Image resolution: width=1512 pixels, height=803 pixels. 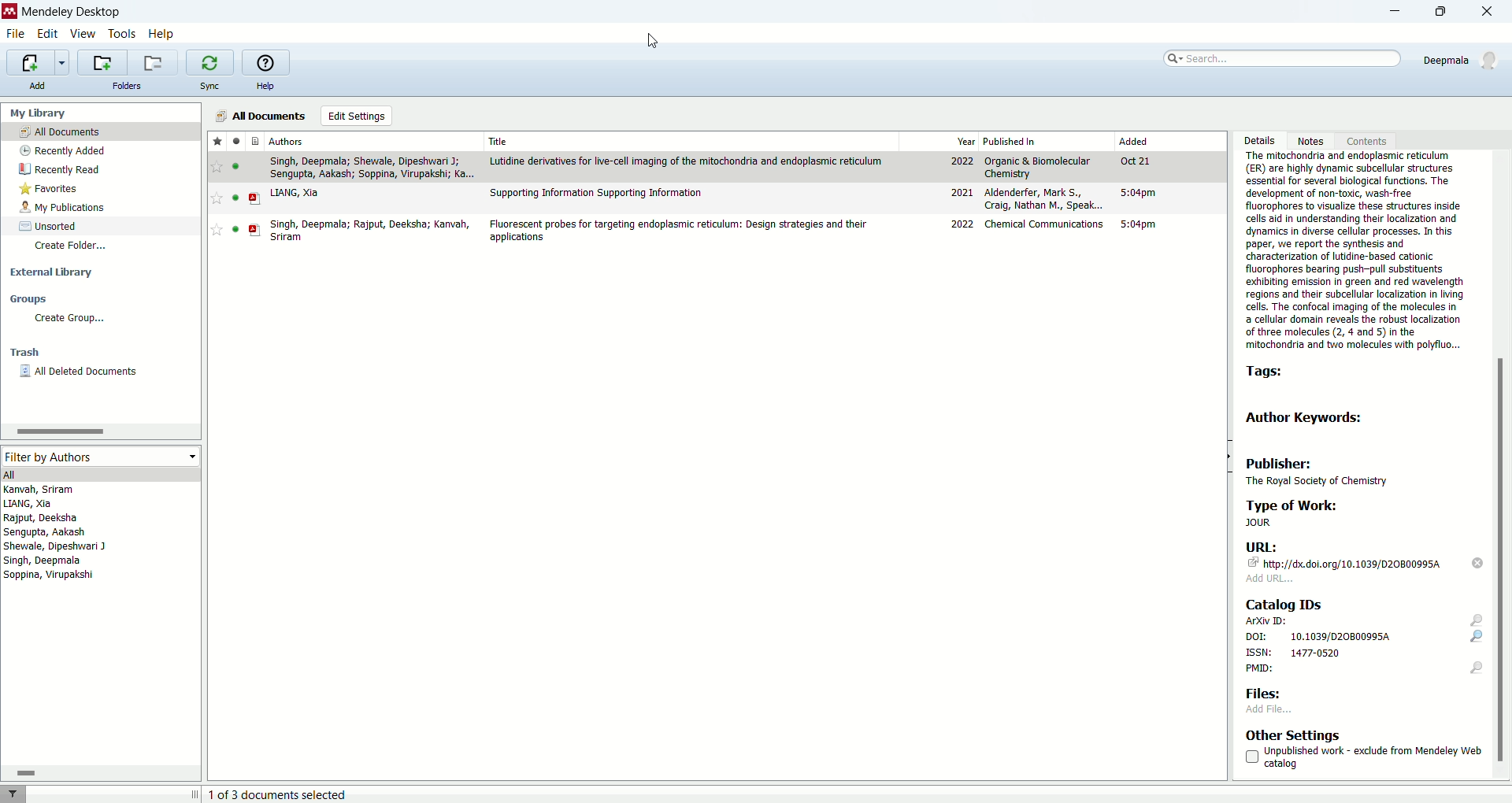 I want to click on chemical communications, so click(x=1046, y=224).